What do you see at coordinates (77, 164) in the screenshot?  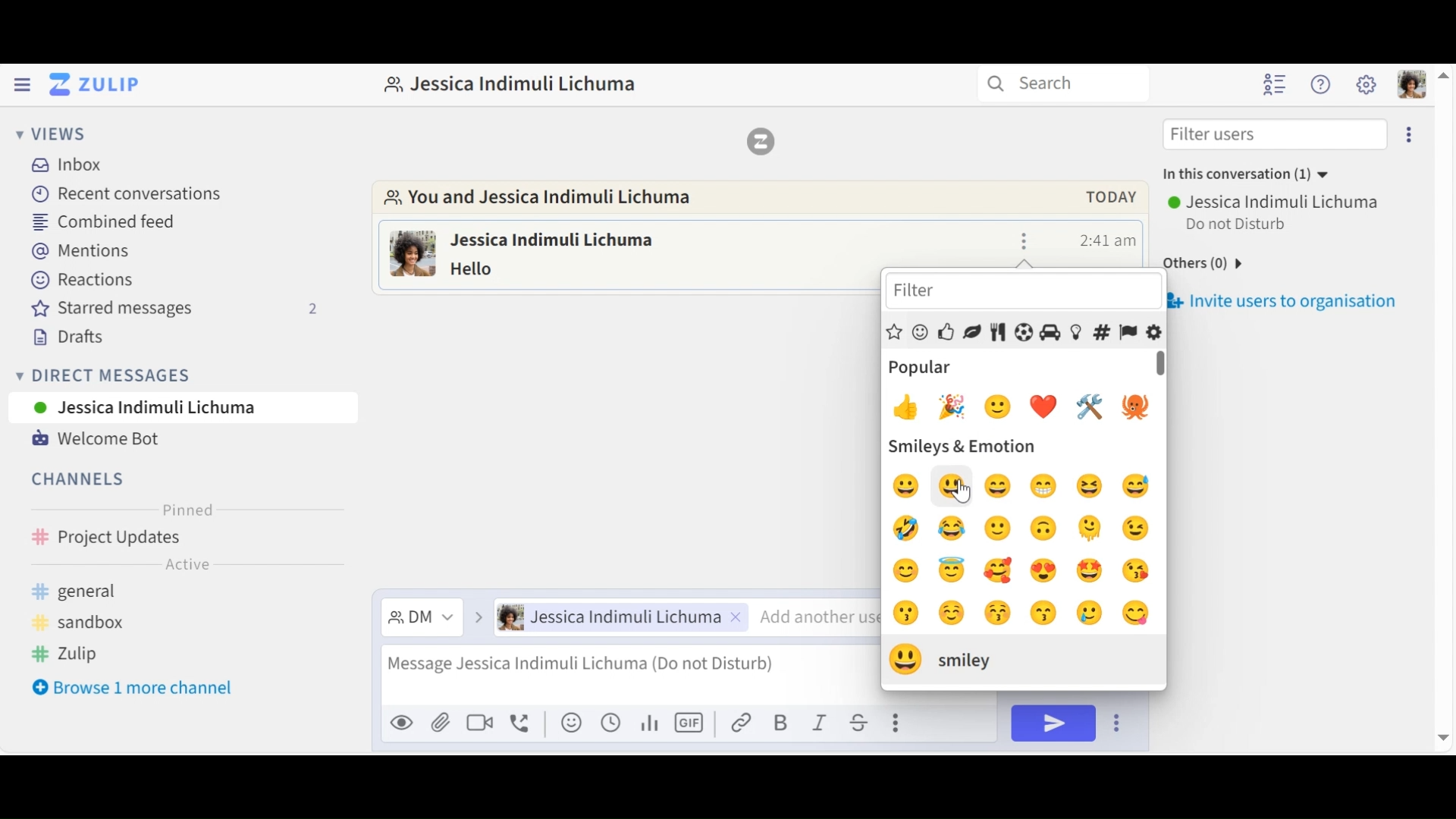 I see `Inbox` at bounding box center [77, 164].